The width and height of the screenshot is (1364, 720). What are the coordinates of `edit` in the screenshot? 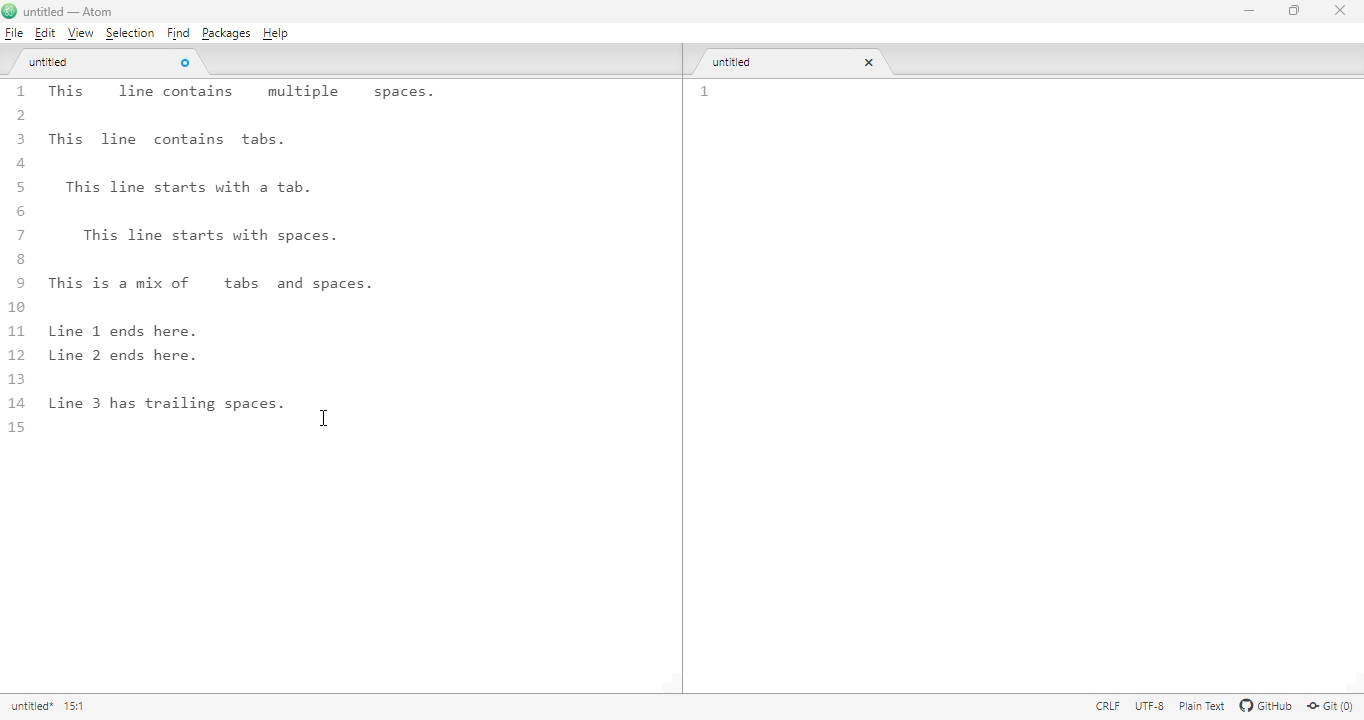 It's located at (45, 33).